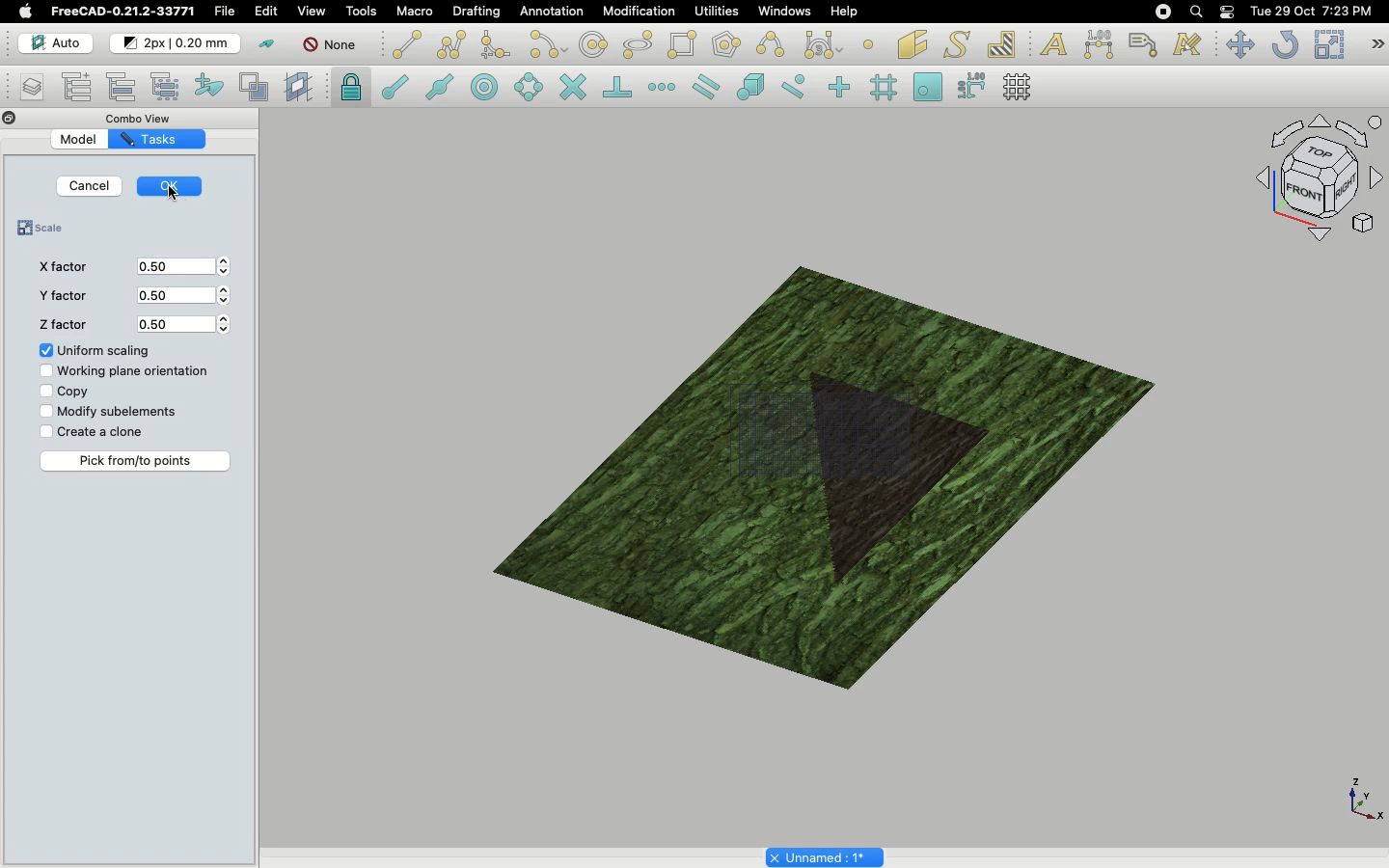  I want to click on Create a clone, so click(92, 431).